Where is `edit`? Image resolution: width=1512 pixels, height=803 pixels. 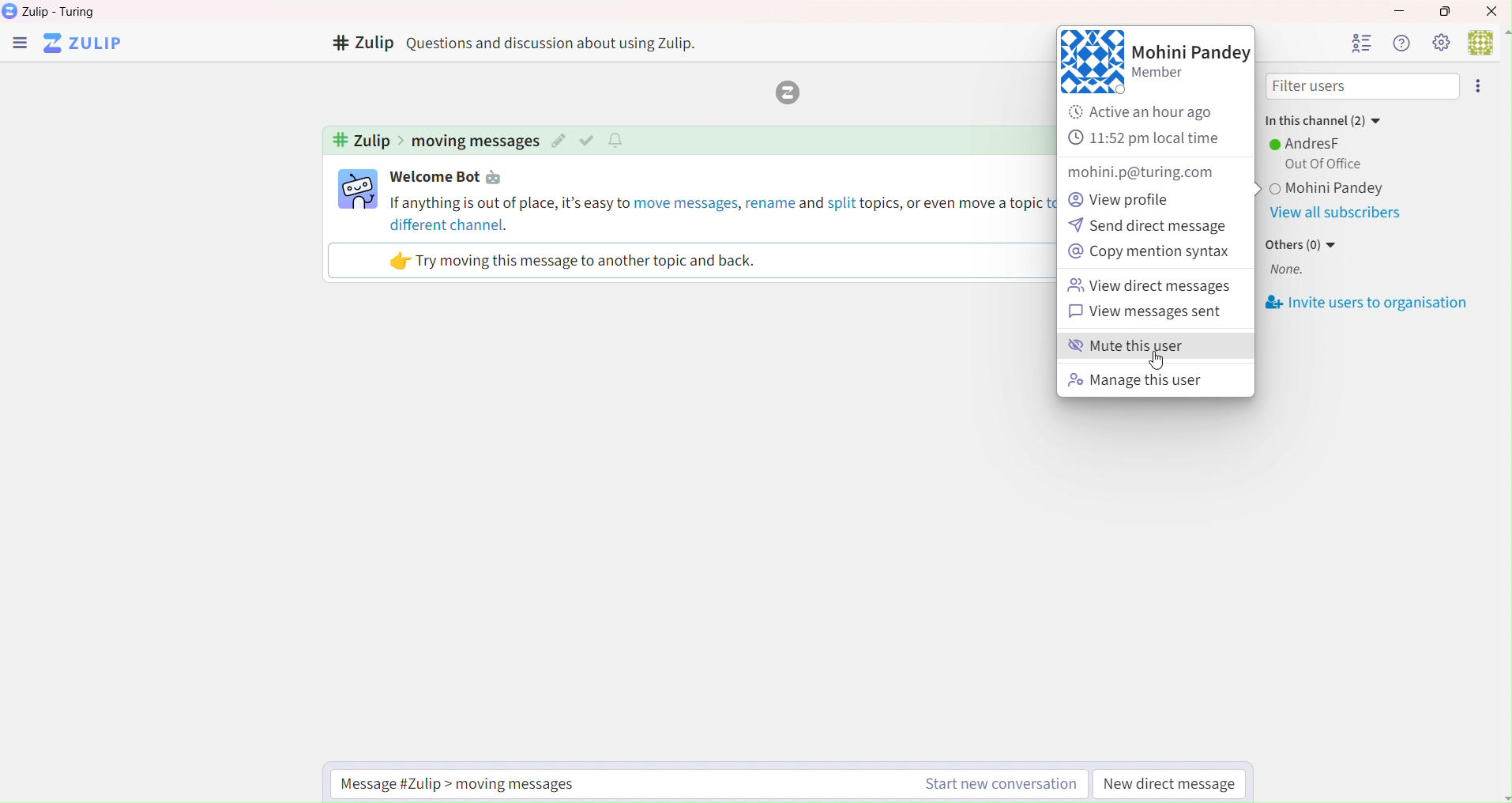 edit is located at coordinates (559, 141).